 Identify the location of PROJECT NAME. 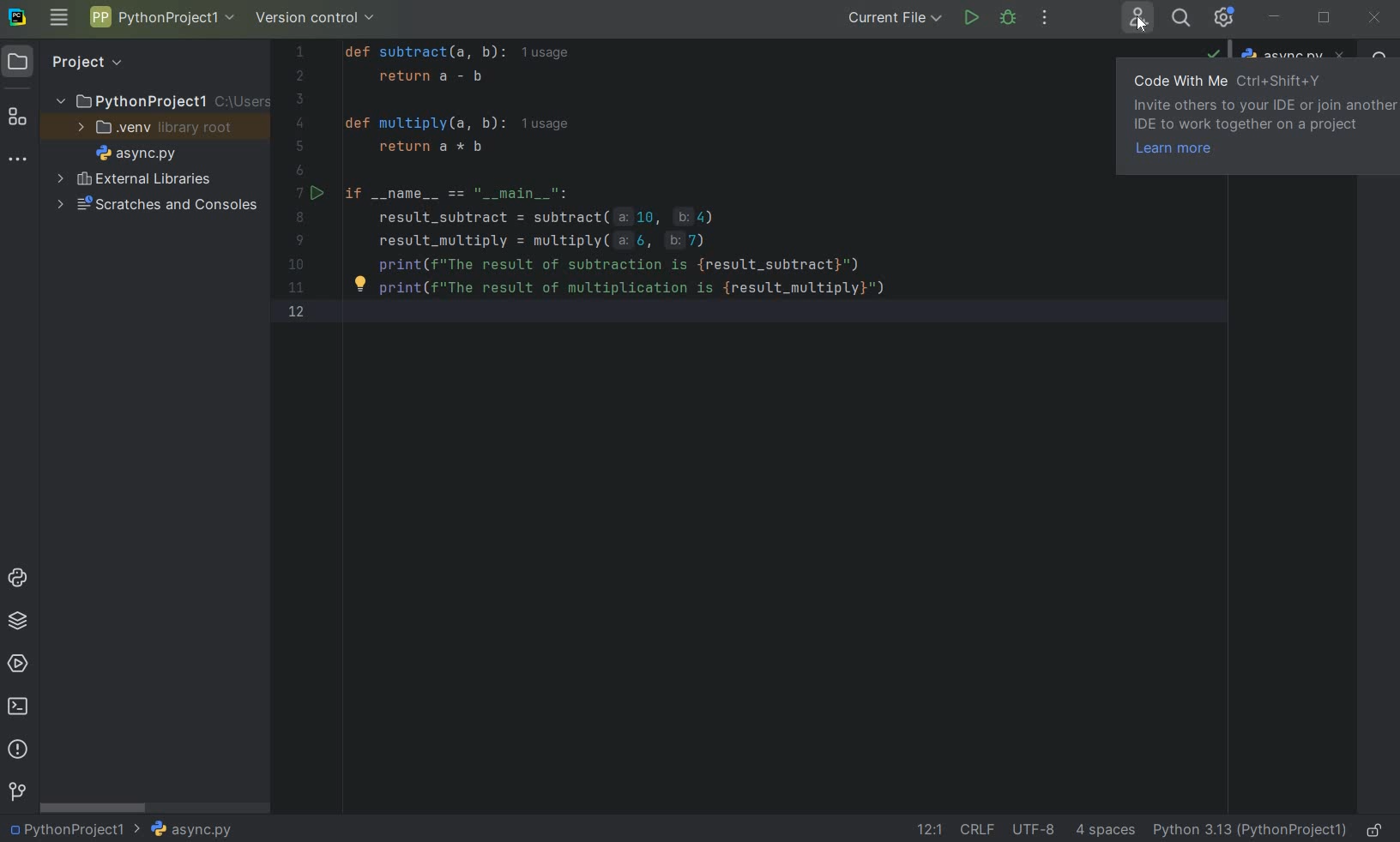
(161, 20).